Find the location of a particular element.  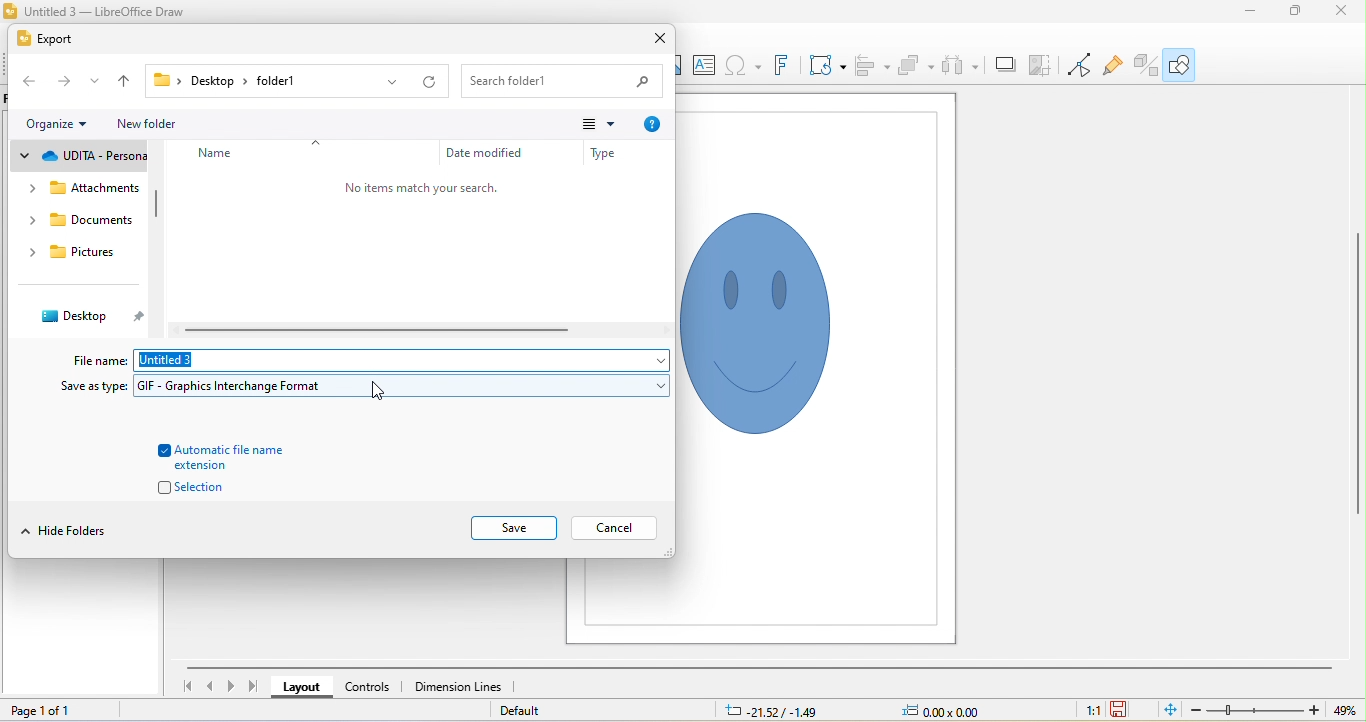

transformations is located at coordinates (827, 67).